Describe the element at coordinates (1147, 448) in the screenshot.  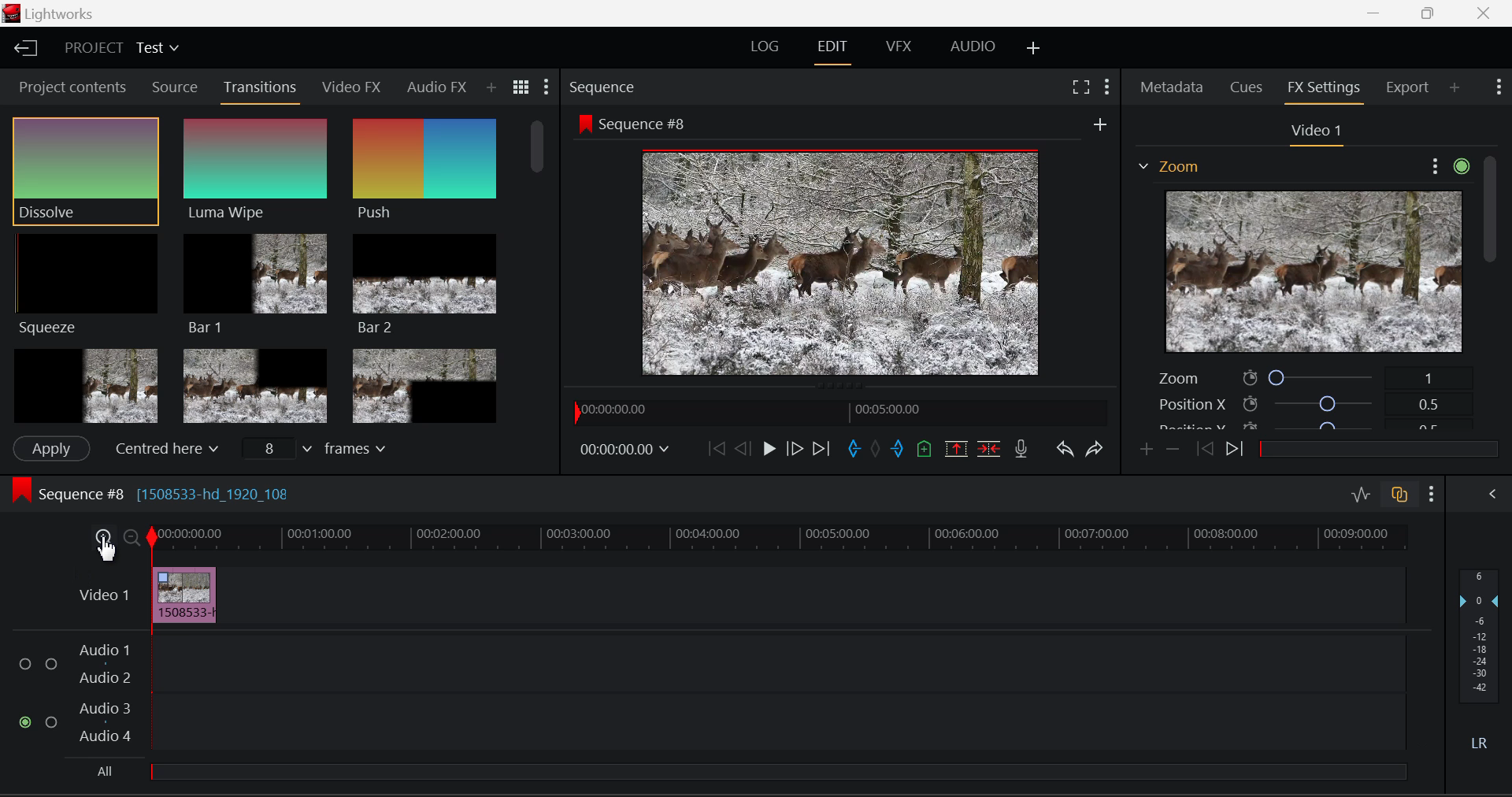
I see `Add keyframe` at that location.